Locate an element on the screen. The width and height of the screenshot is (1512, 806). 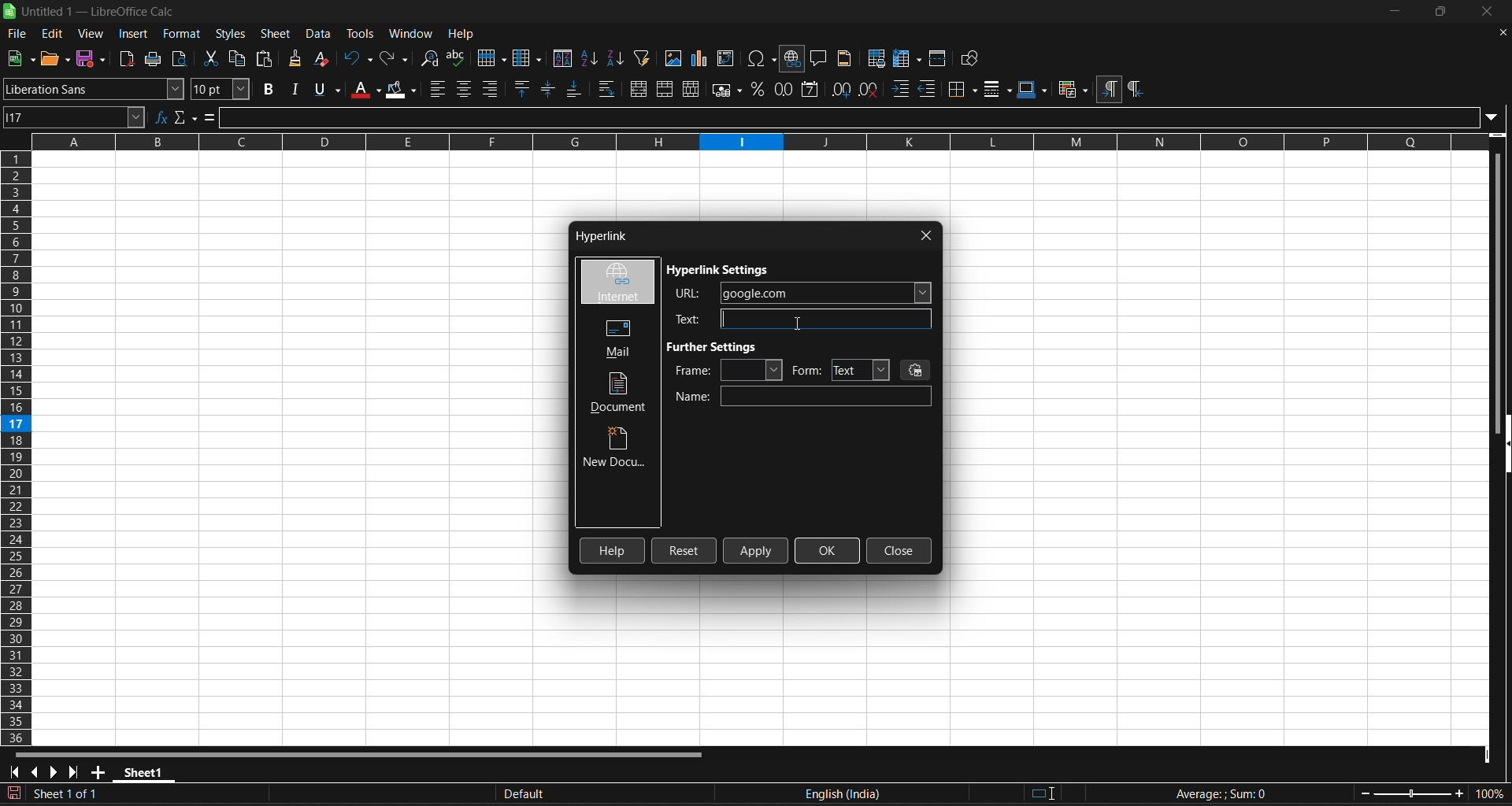
close document is located at coordinates (1502, 33).